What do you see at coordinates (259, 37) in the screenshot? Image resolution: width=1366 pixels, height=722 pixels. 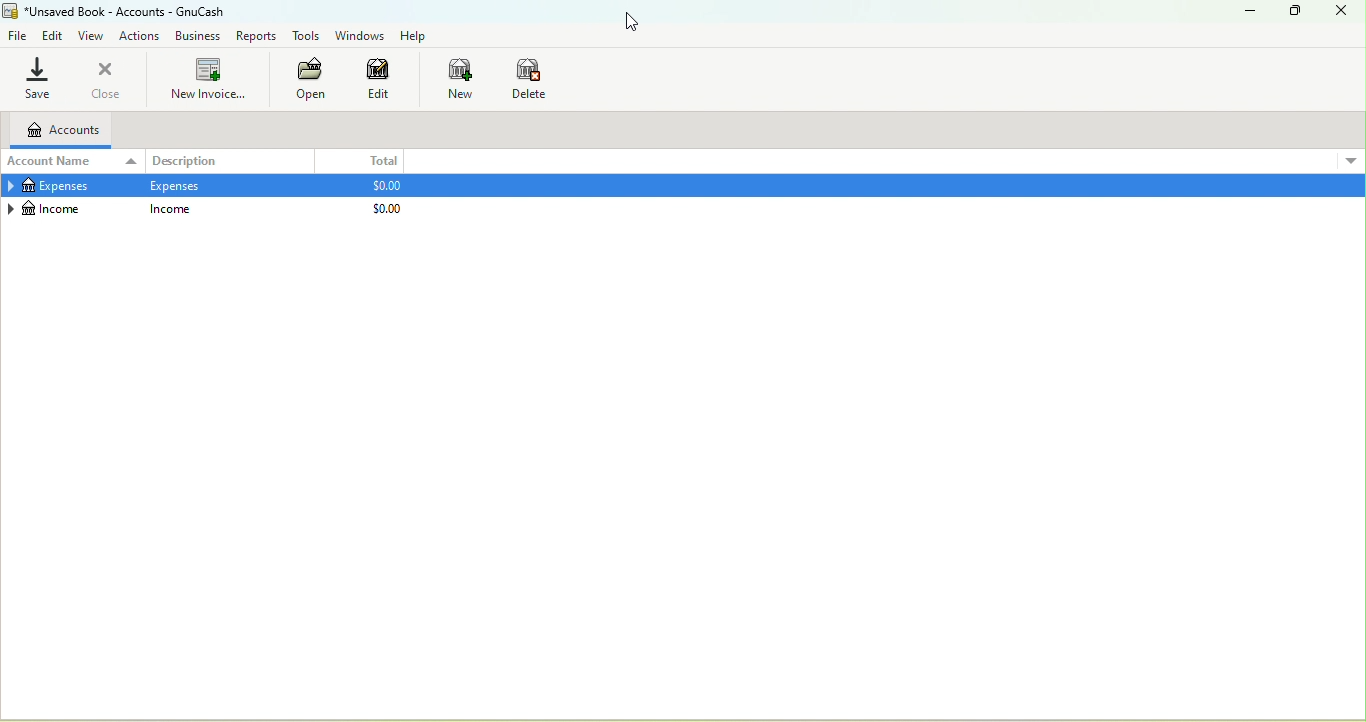 I see `Report` at bounding box center [259, 37].